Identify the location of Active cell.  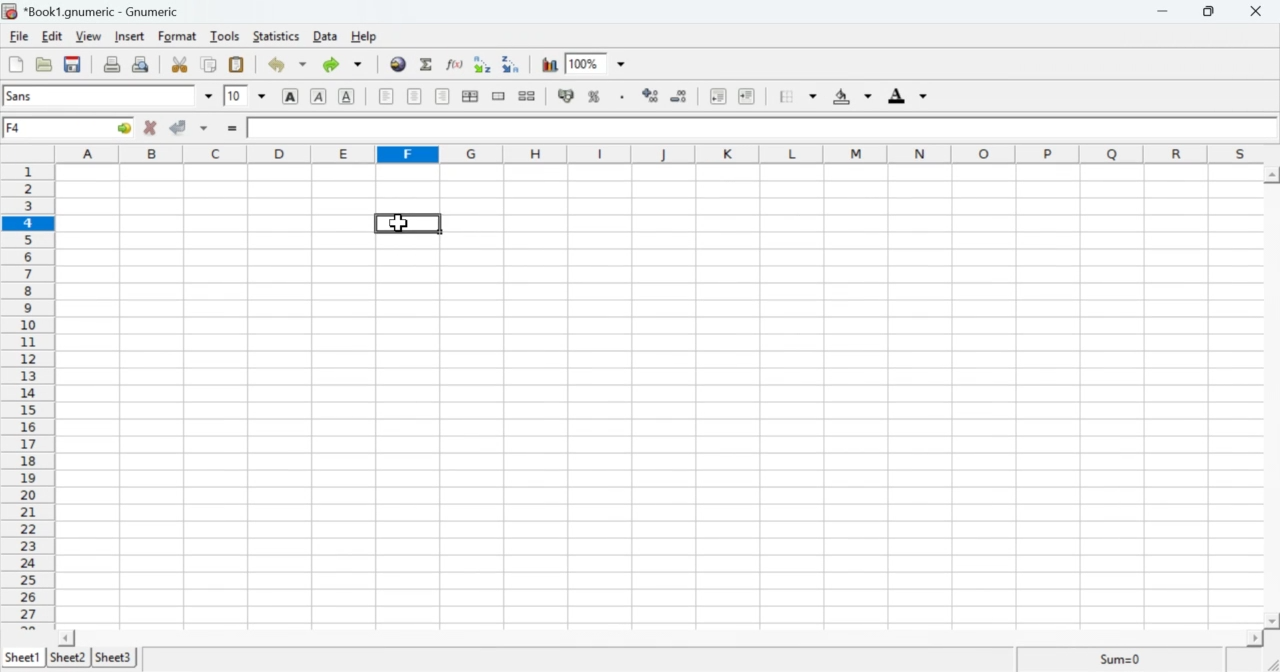
(71, 129).